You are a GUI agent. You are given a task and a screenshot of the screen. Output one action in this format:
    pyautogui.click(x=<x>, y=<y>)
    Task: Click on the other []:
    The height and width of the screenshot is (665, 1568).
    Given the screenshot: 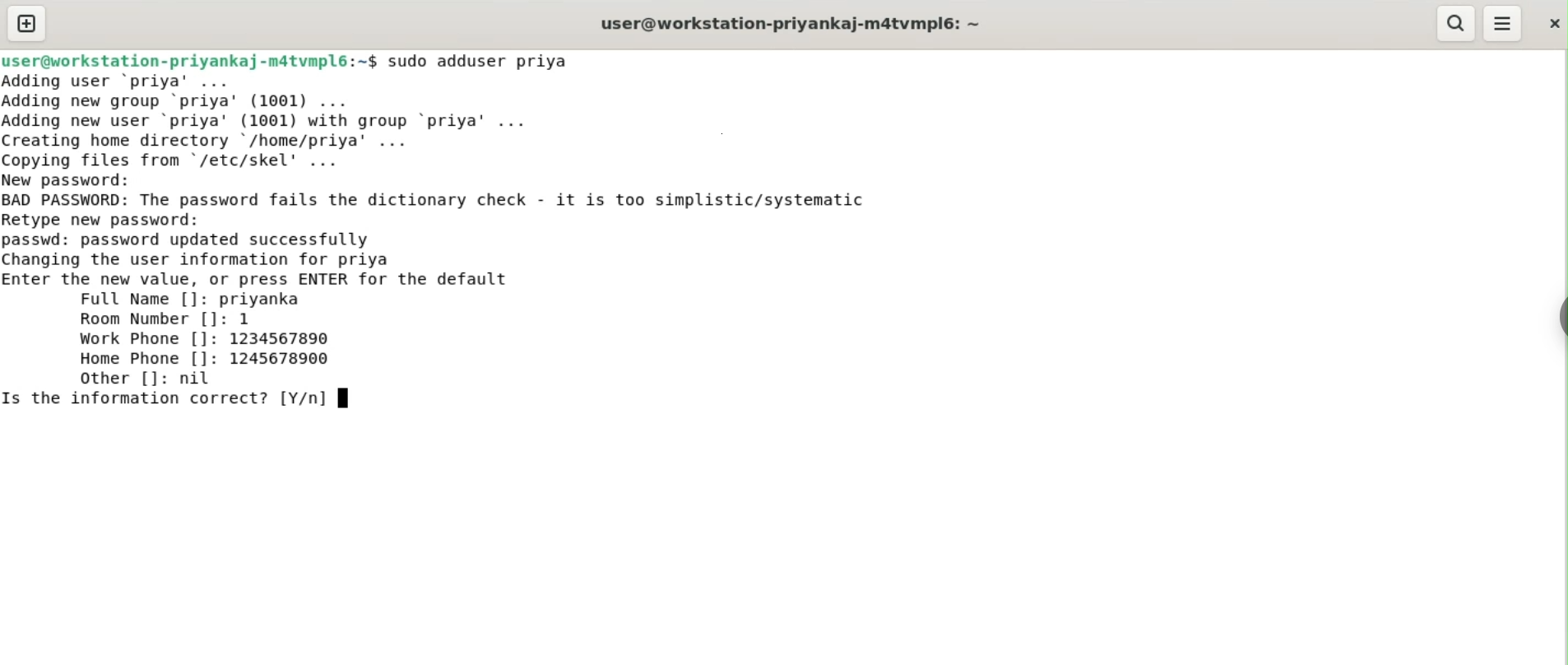 What is the action you would take?
    pyautogui.click(x=119, y=378)
    